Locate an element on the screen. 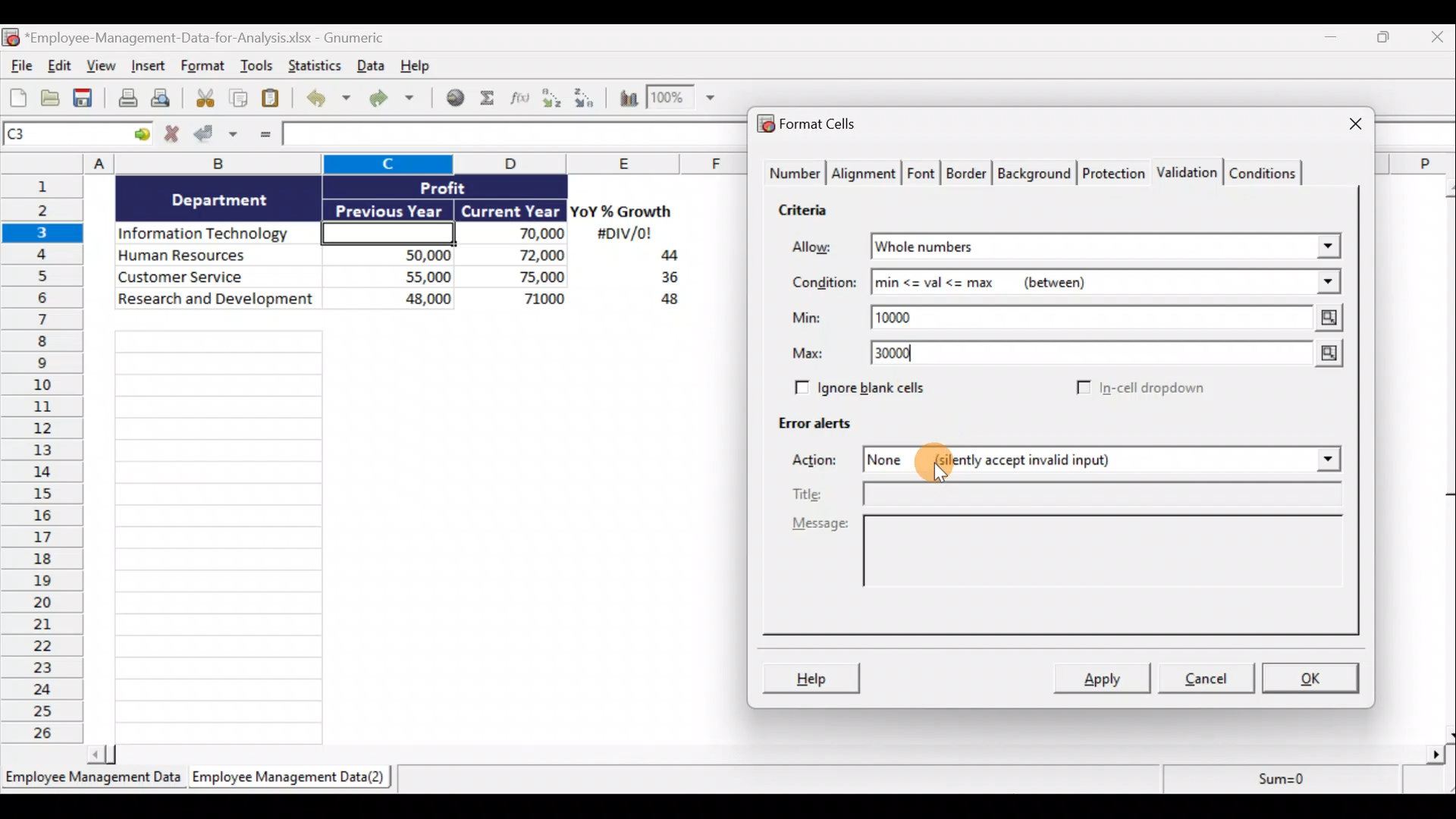 The image size is (1456, 819). In-cell dropdown is located at coordinates (1139, 389).